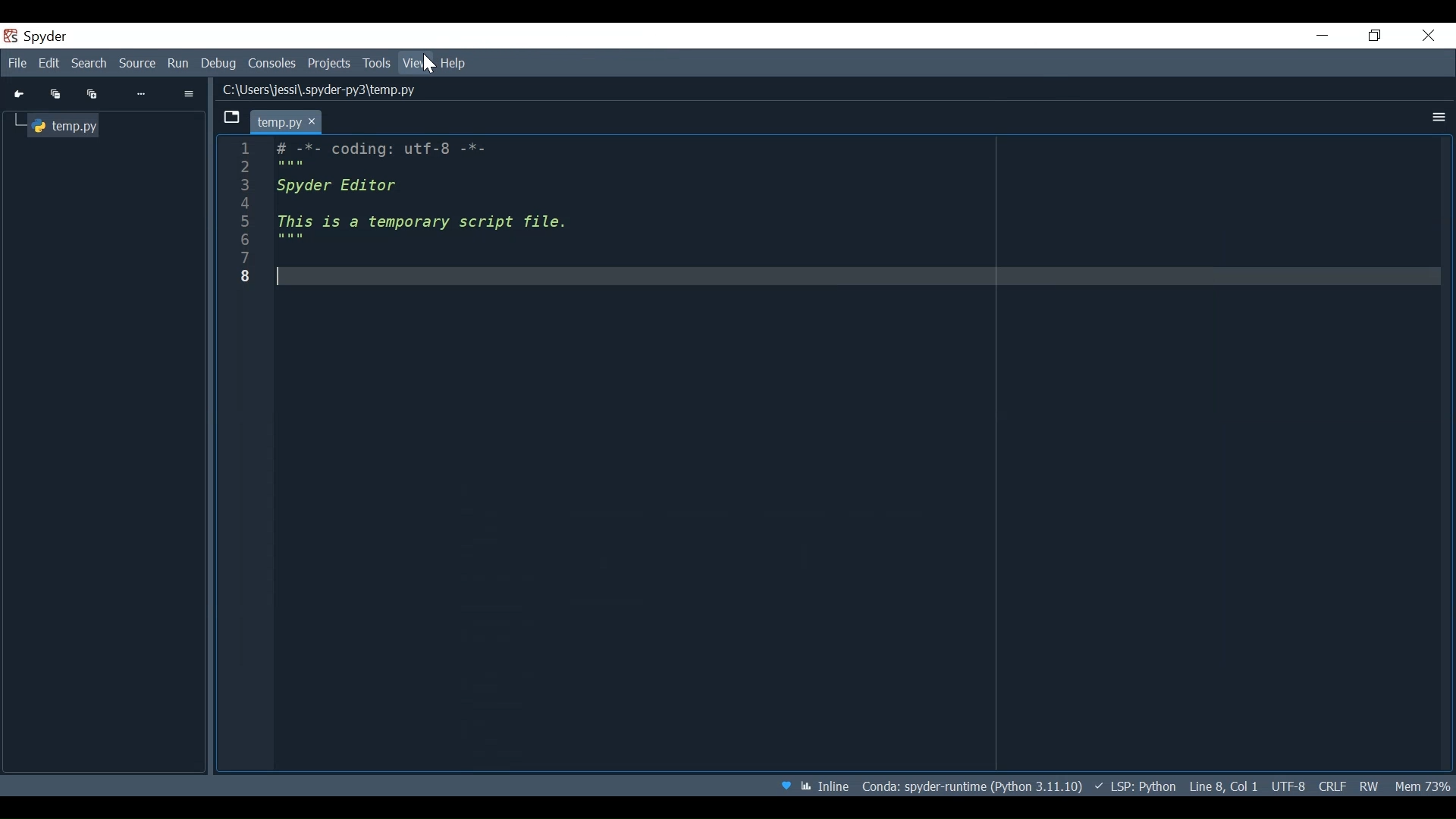 The image size is (1456, 819). Describe the element at coordinates (1136, 786) in the screenshot. I see `LsSP Python` at that location.